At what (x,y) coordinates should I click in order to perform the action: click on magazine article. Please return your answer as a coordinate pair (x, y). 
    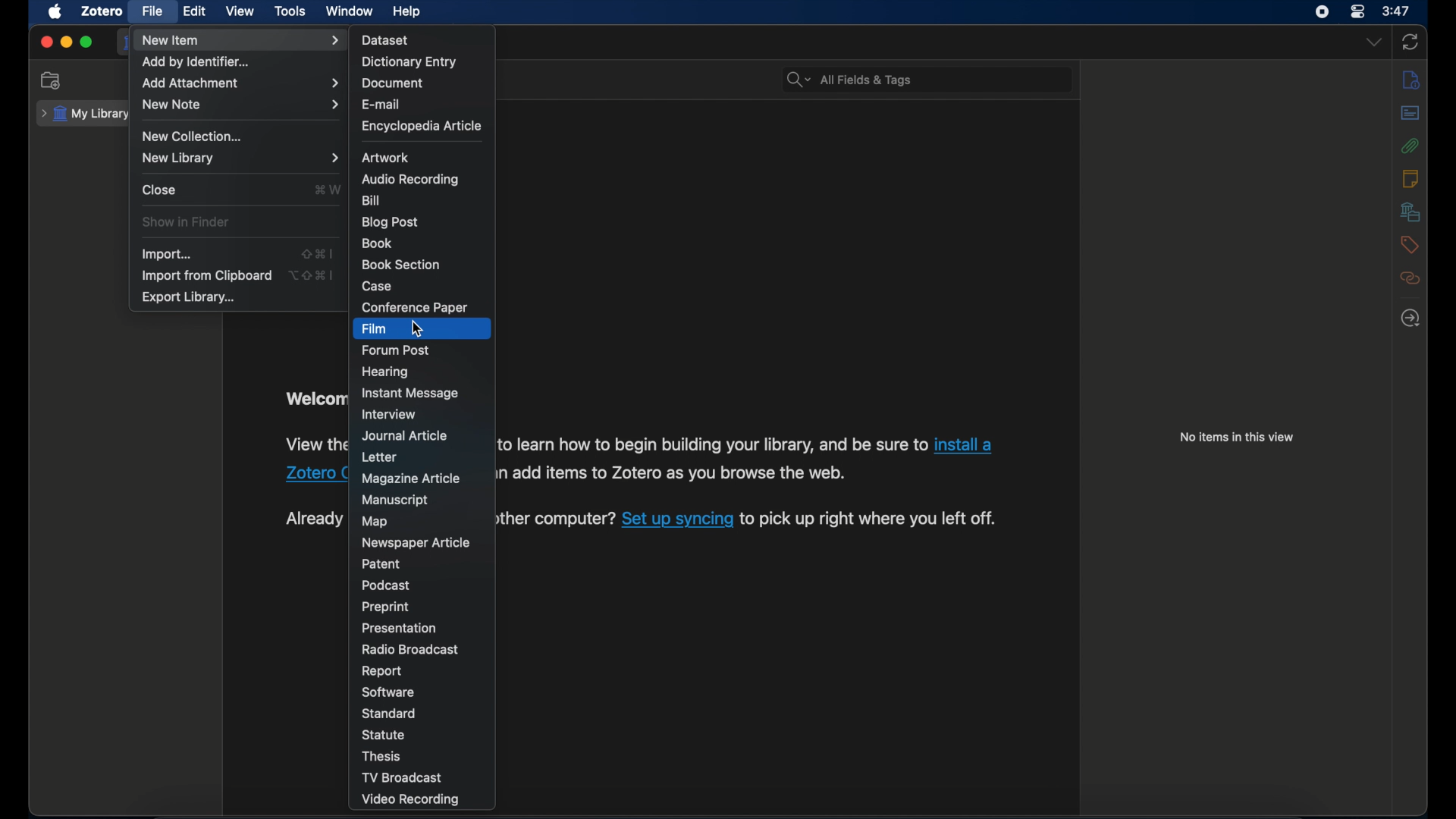
    Looking at the image, I should click on (411, 479).